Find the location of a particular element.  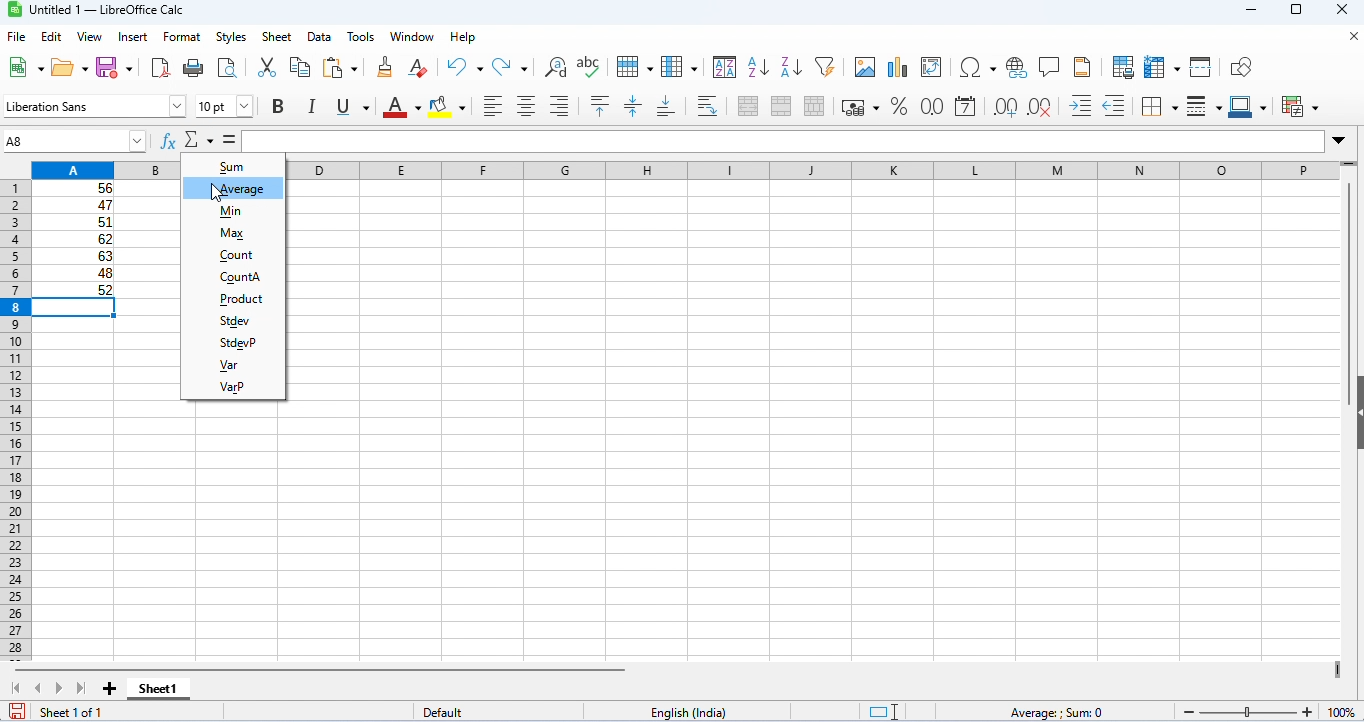

align center is located at coordinates (526, 106).